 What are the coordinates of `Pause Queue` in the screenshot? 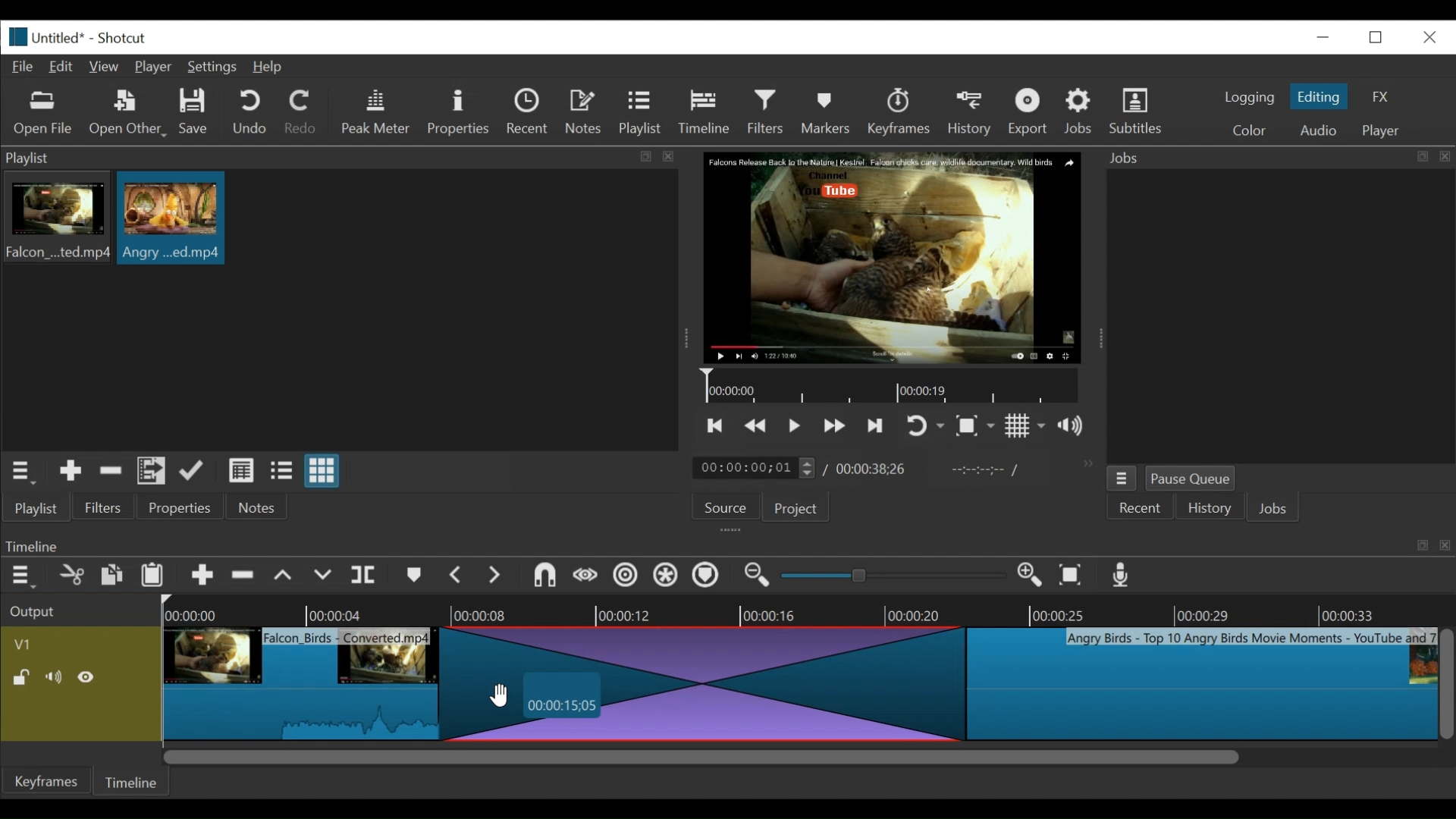 It's located at (1191, 482).